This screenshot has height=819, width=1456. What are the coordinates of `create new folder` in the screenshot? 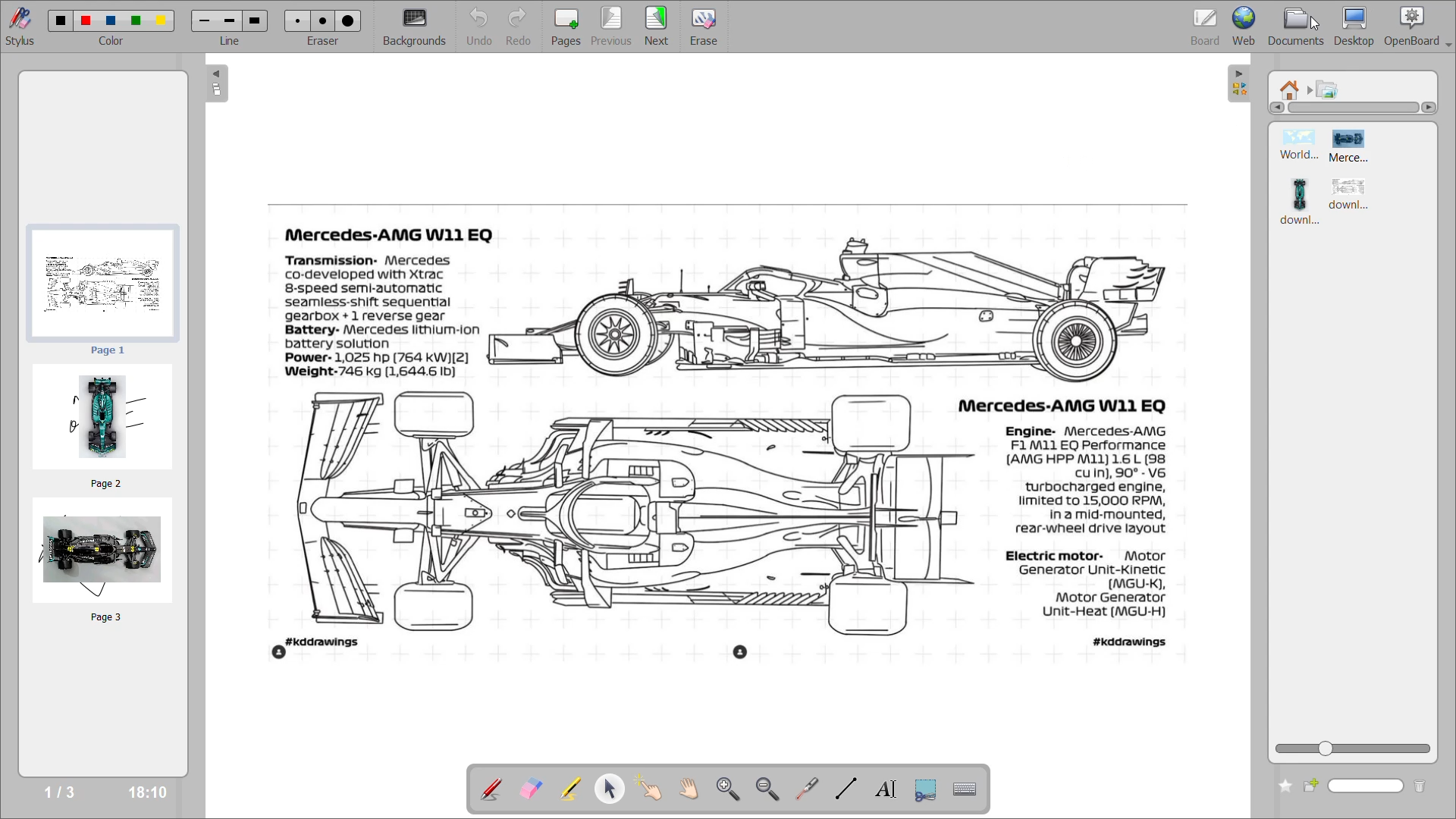 It's located at (1313, 787).